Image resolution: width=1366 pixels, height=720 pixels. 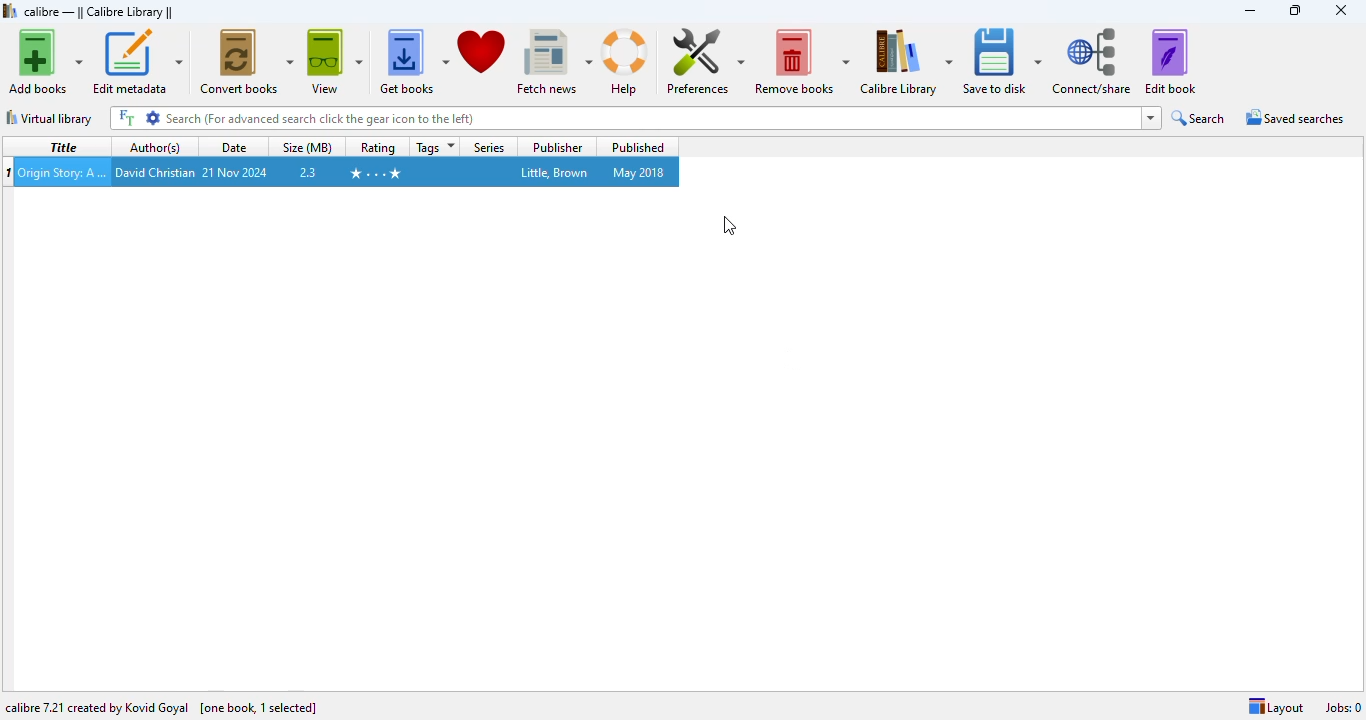 I want to click on cursor, so click(x=130, y=65).